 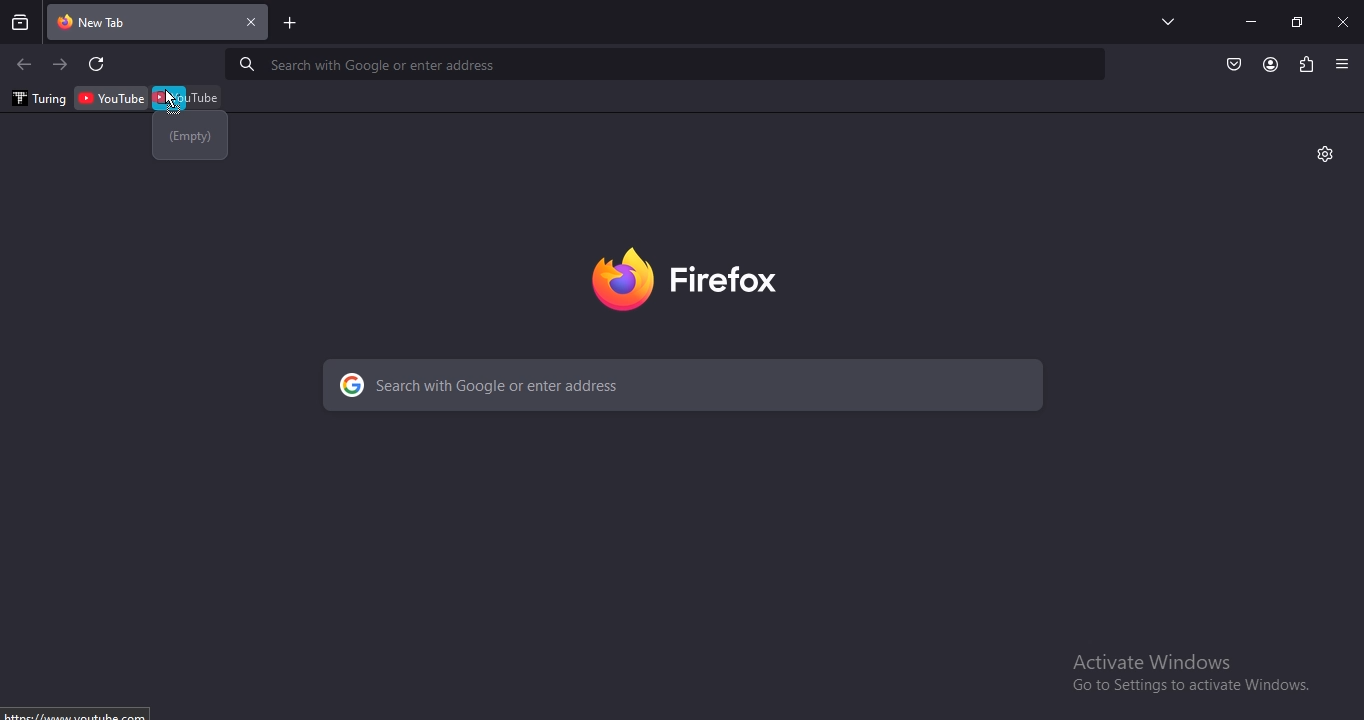 What do you see at coordinates (1251, 22) in the screenshot?
I see `minimize` at bounding box center [1251, 22].